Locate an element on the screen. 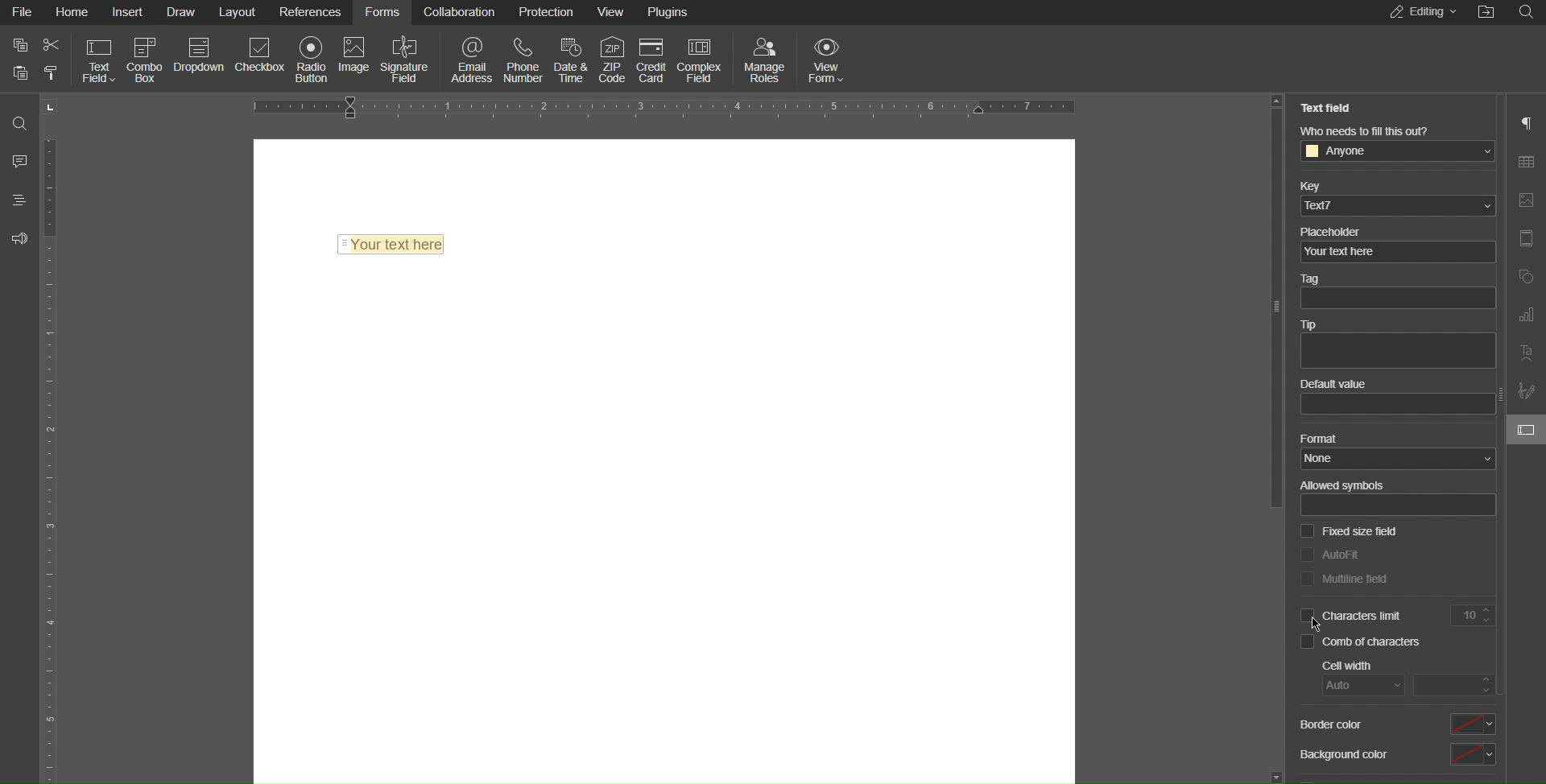 The image size is (1546, 784). Collaboration is located at coordinates (460, 14).